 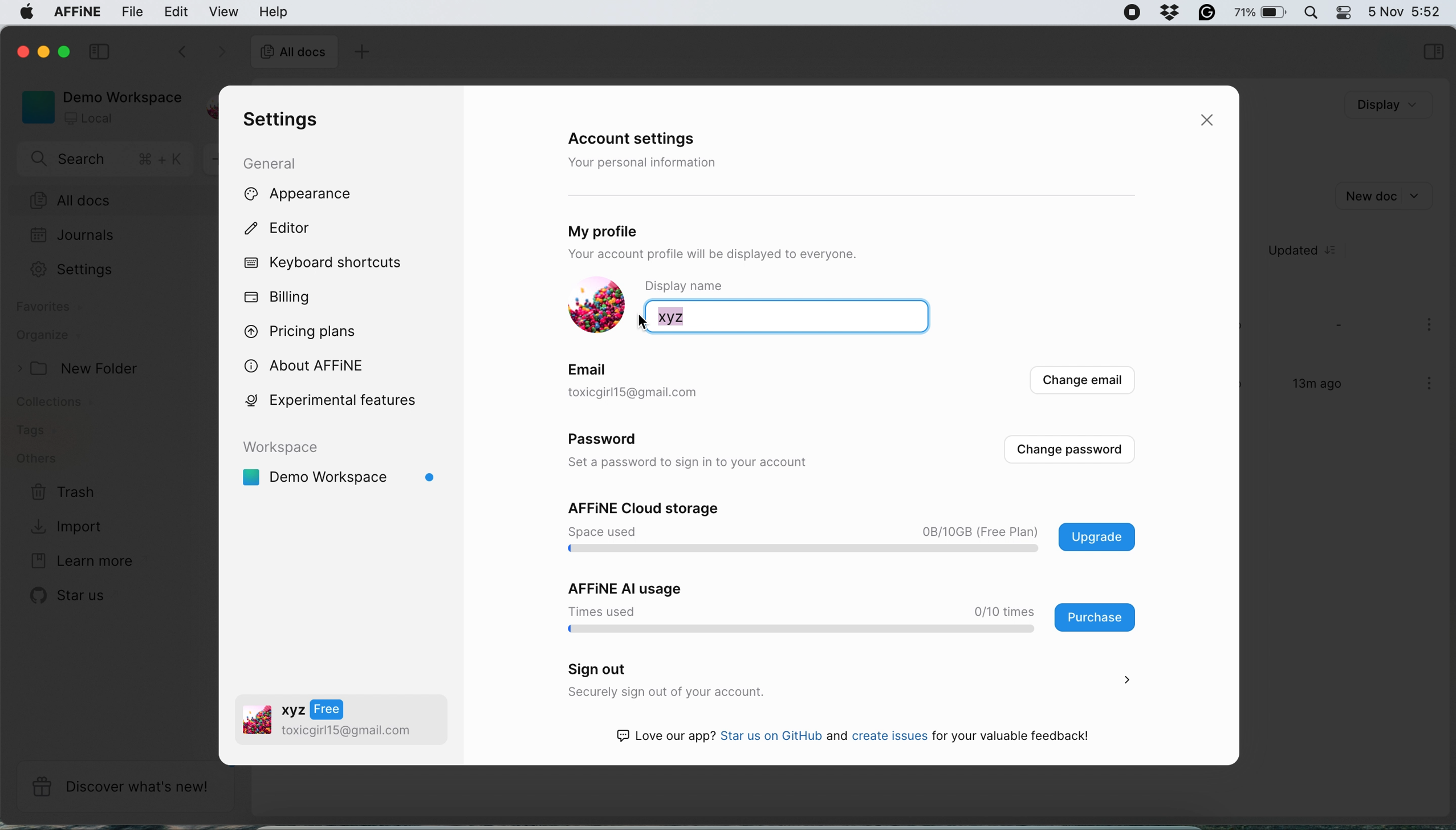 I want to click on display name, so click(x=701, y=286).